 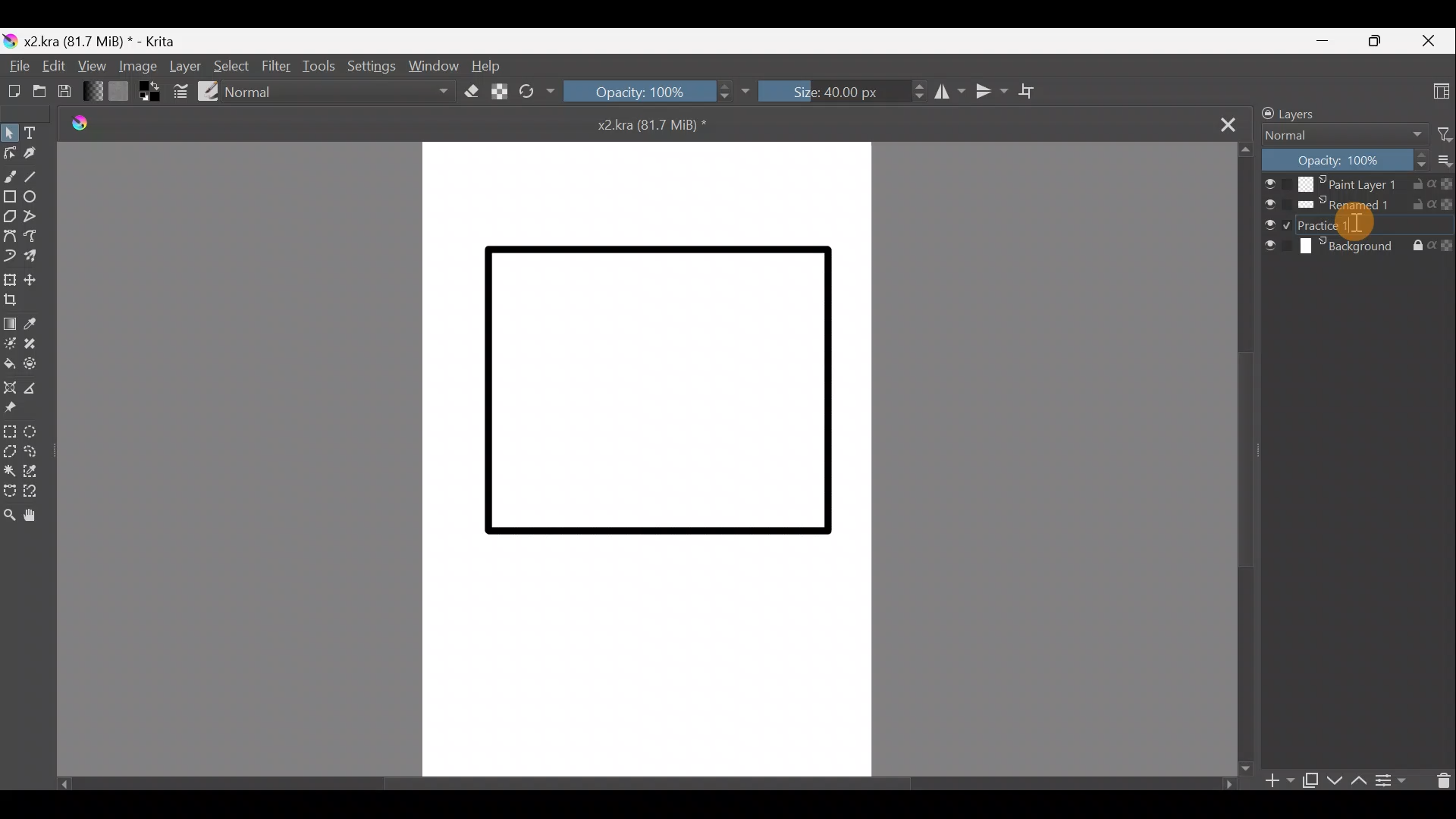 I want to click on Move a layer, so click(x=39, y=279).